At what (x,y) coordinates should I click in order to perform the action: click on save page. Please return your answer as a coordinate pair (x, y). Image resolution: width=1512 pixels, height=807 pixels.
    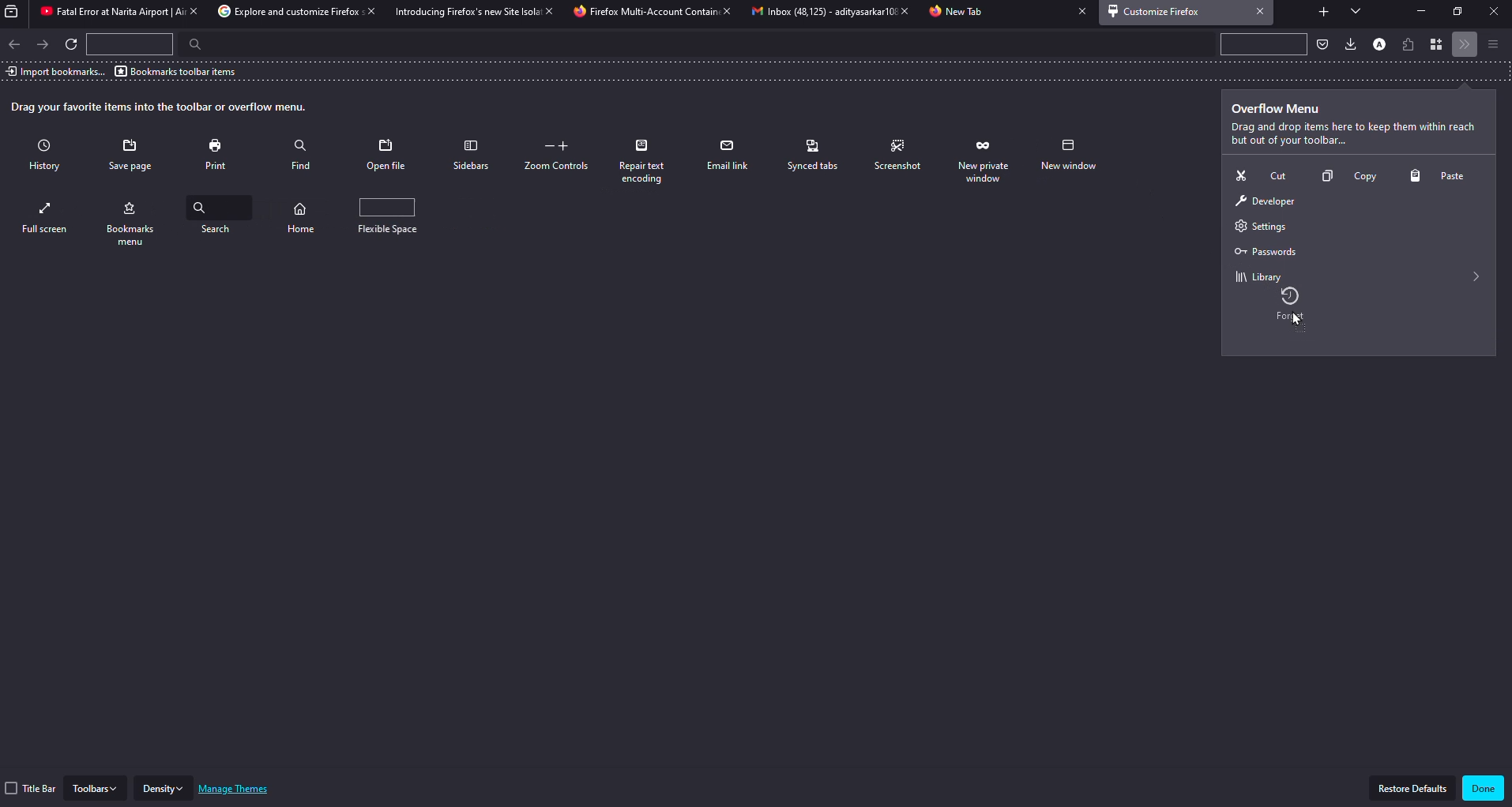
    Looking at the image, I should click on (134, 156).